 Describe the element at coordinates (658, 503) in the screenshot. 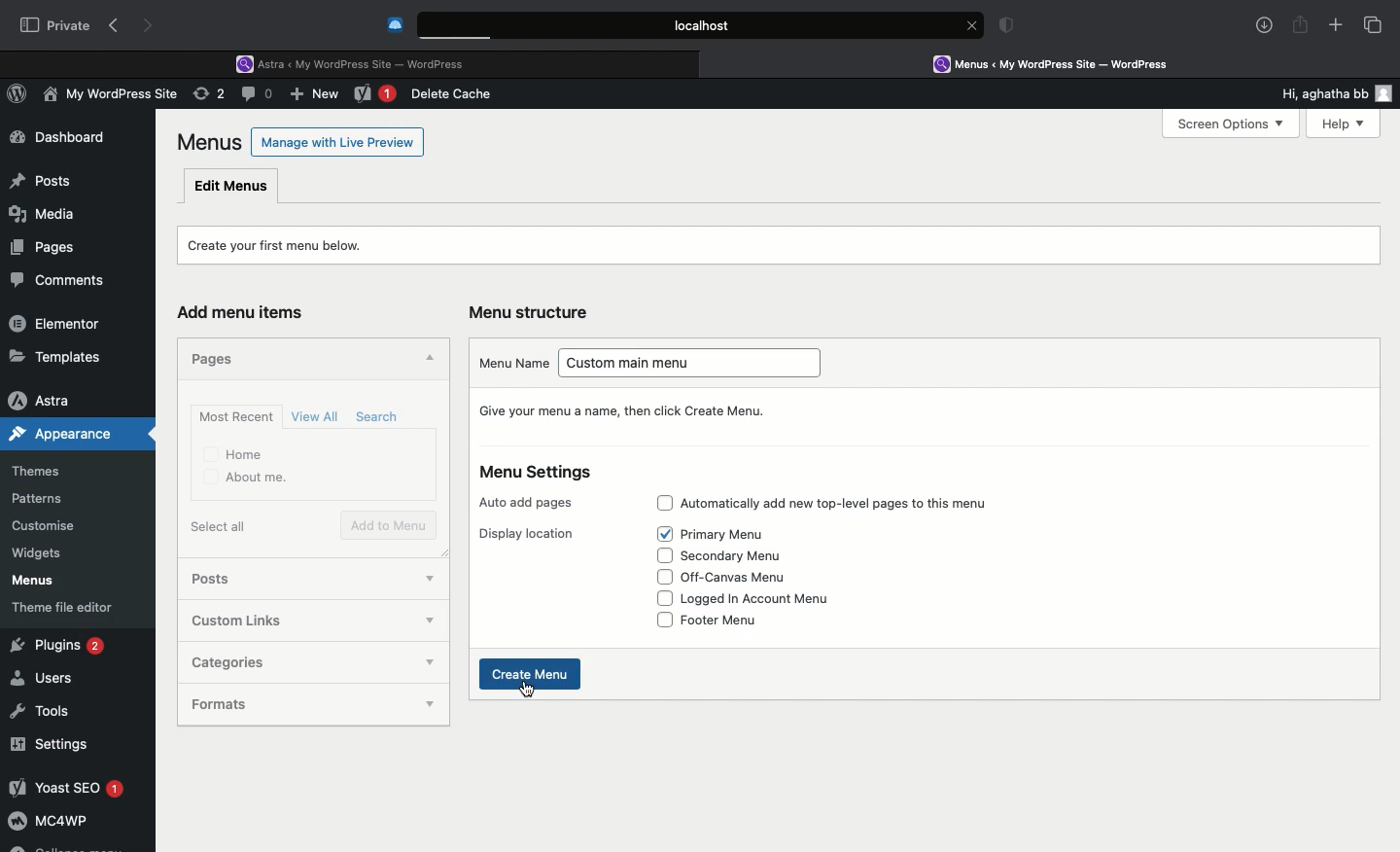

I see `Check box` at that location.